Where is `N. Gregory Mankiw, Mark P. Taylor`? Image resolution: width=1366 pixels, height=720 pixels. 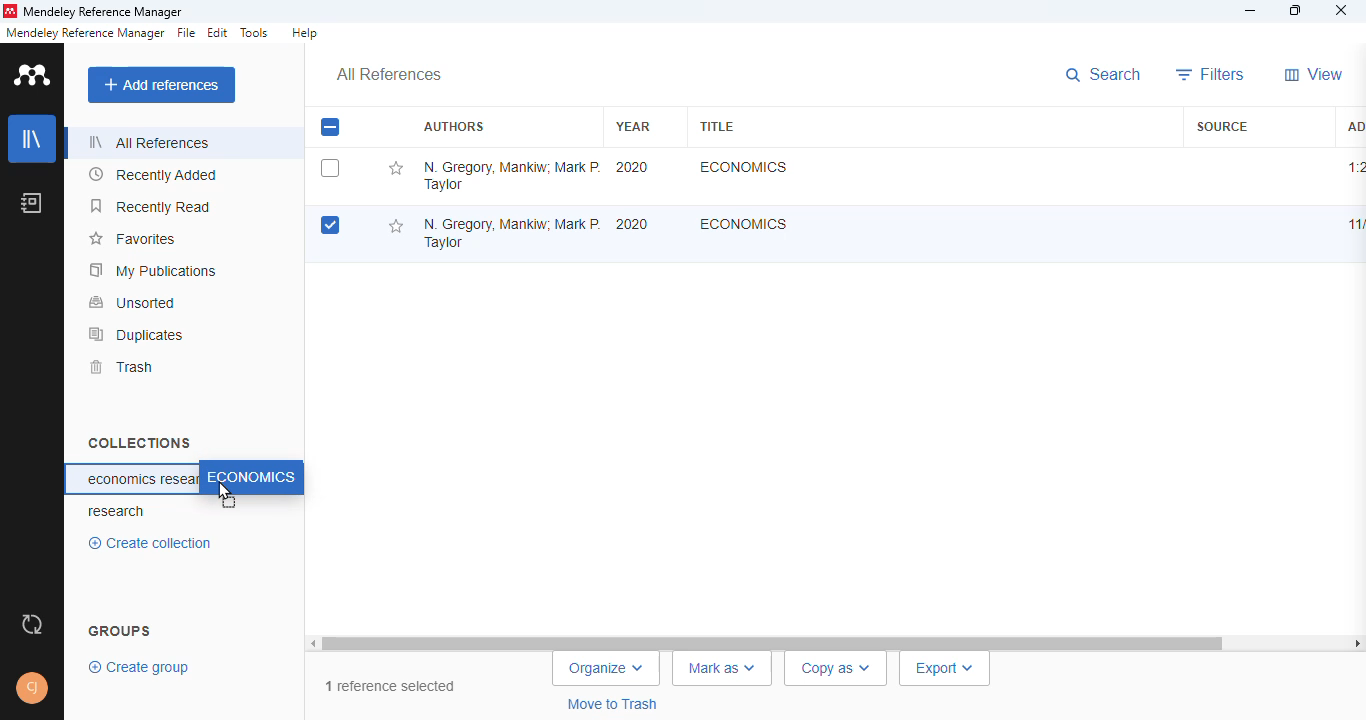 N. Gregory Mankiw, Mark P. Taylor is located at coordinates (511, 175).